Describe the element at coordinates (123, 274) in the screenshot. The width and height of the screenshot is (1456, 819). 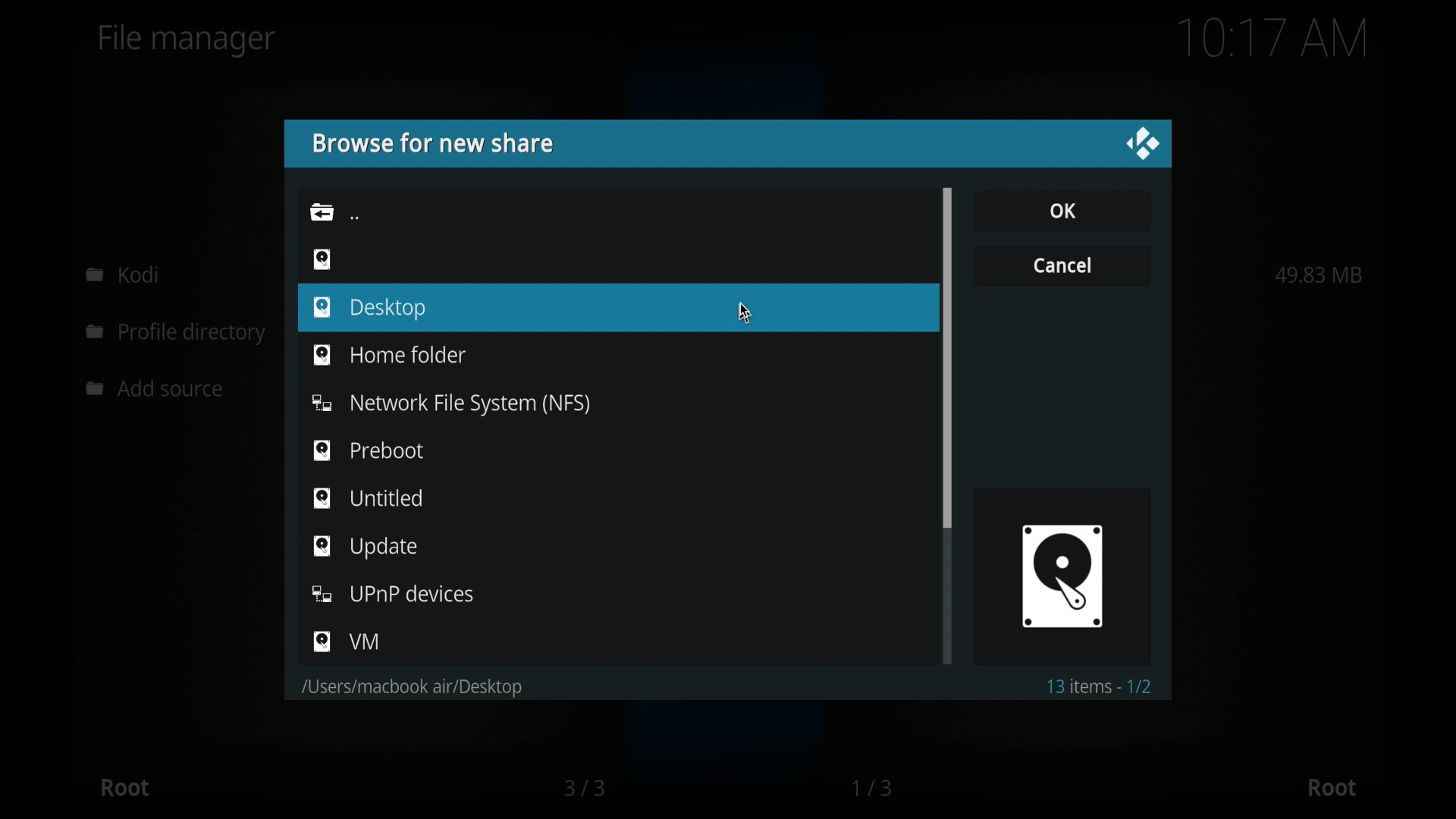
I see `kodi` at that location.